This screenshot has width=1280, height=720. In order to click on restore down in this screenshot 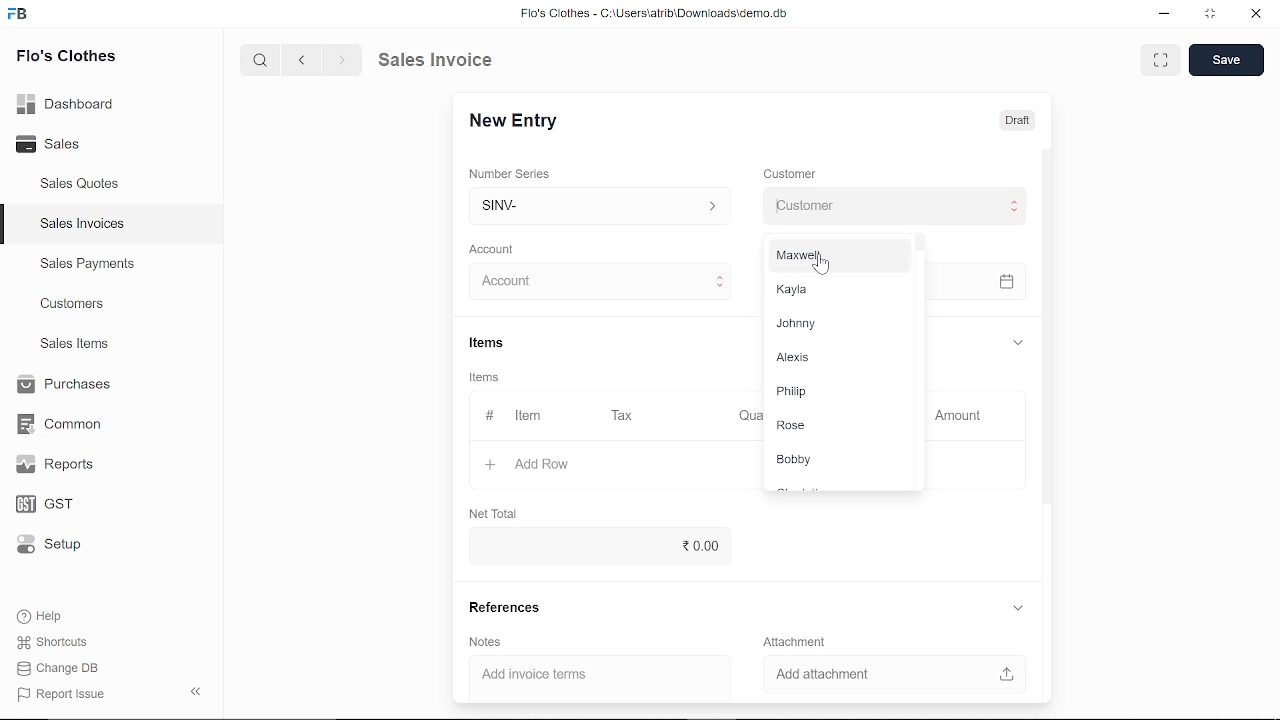, I will do `click(1207, 15)`.